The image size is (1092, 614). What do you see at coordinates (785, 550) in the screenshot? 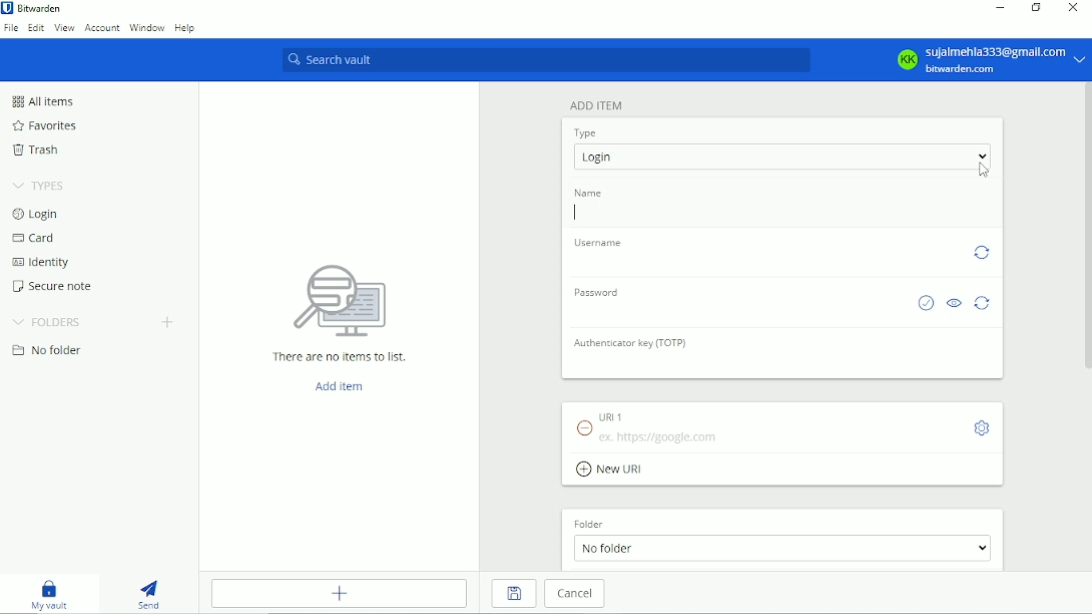
I see `No folder` at bounding box center [785, 550].